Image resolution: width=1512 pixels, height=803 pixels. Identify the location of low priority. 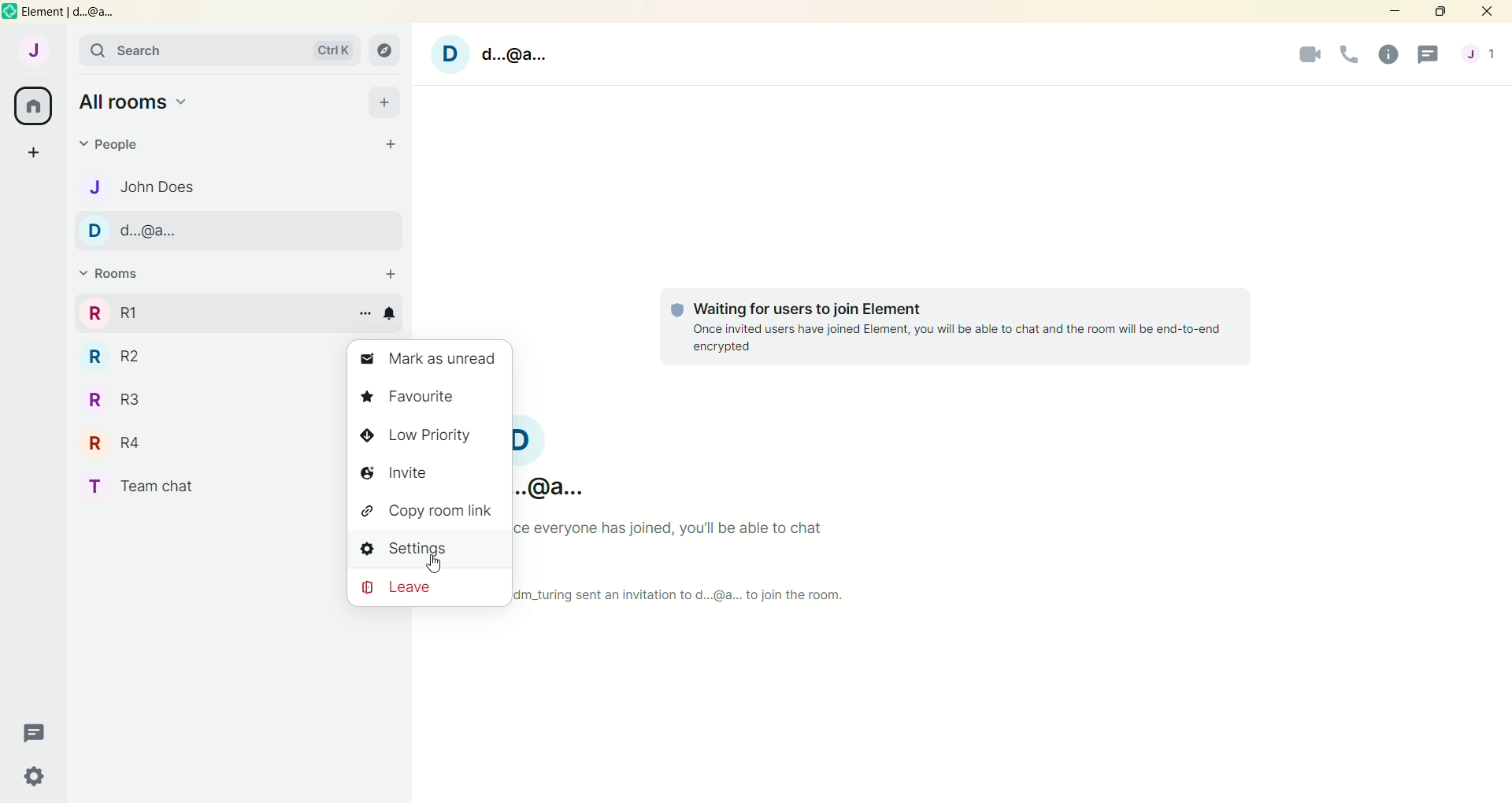
(414, 437).